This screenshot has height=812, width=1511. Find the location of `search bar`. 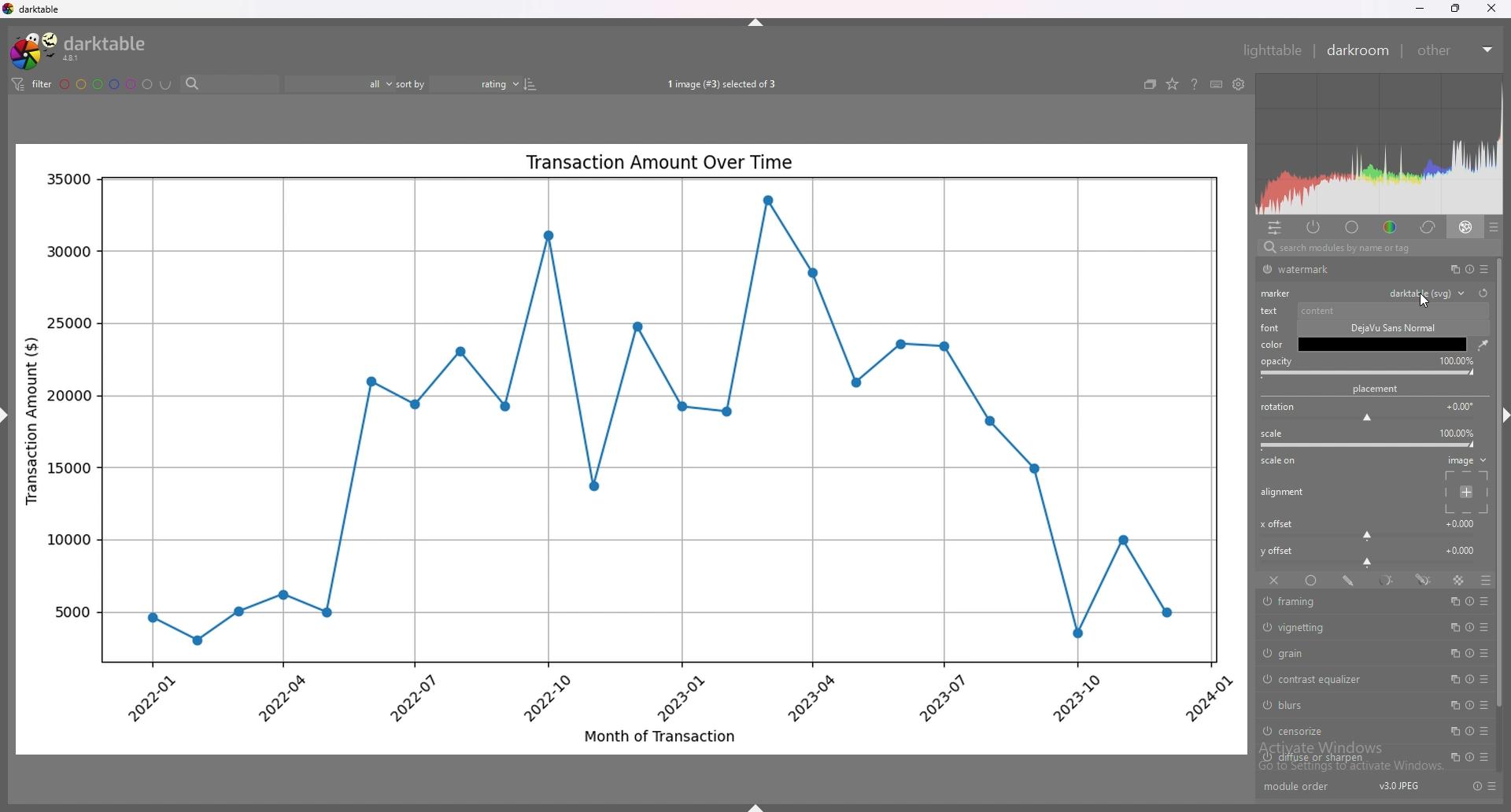

search bar is located at coordinates (226, 85).